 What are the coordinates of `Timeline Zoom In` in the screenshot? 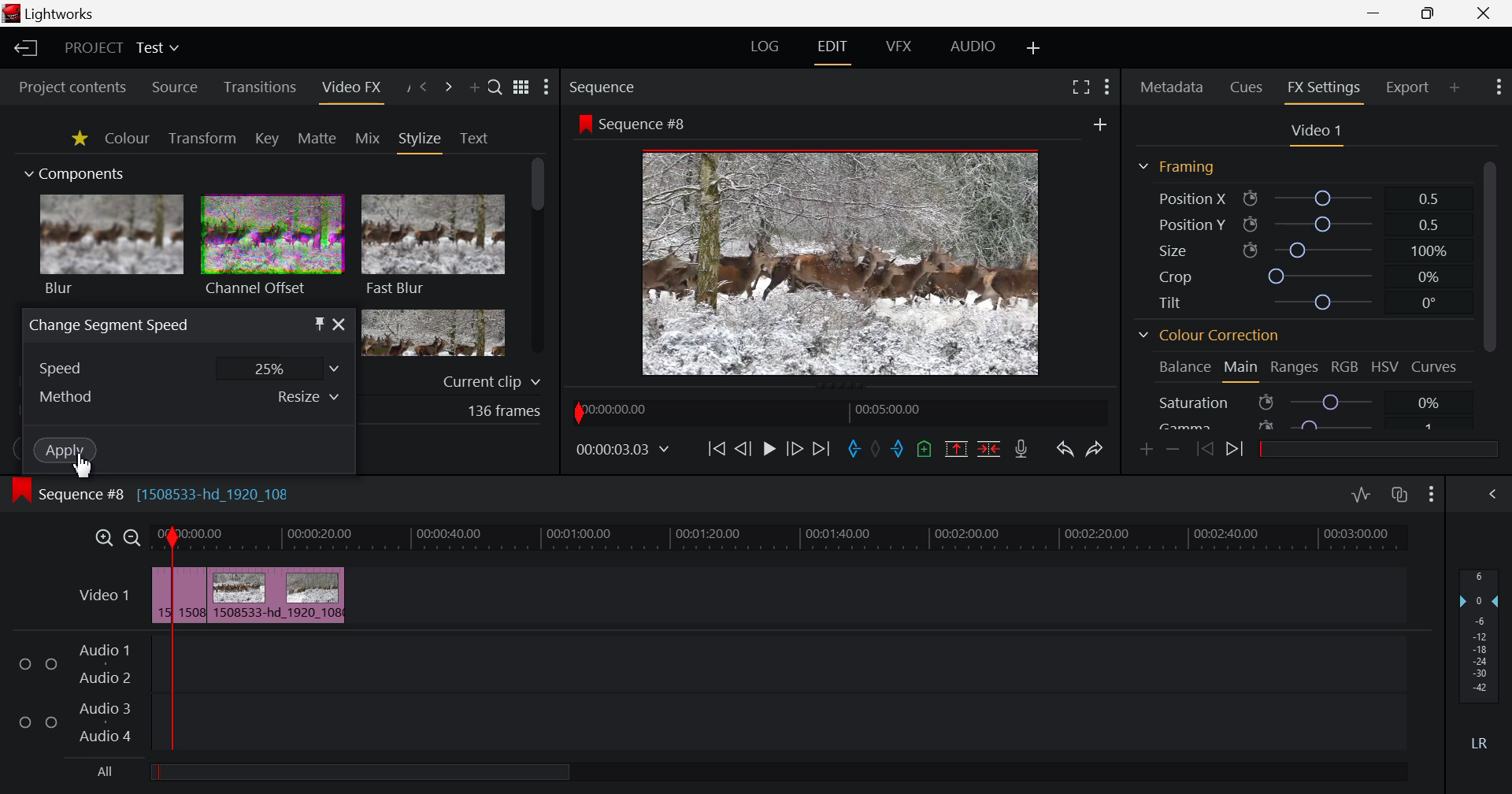 It's located at (102, 538).